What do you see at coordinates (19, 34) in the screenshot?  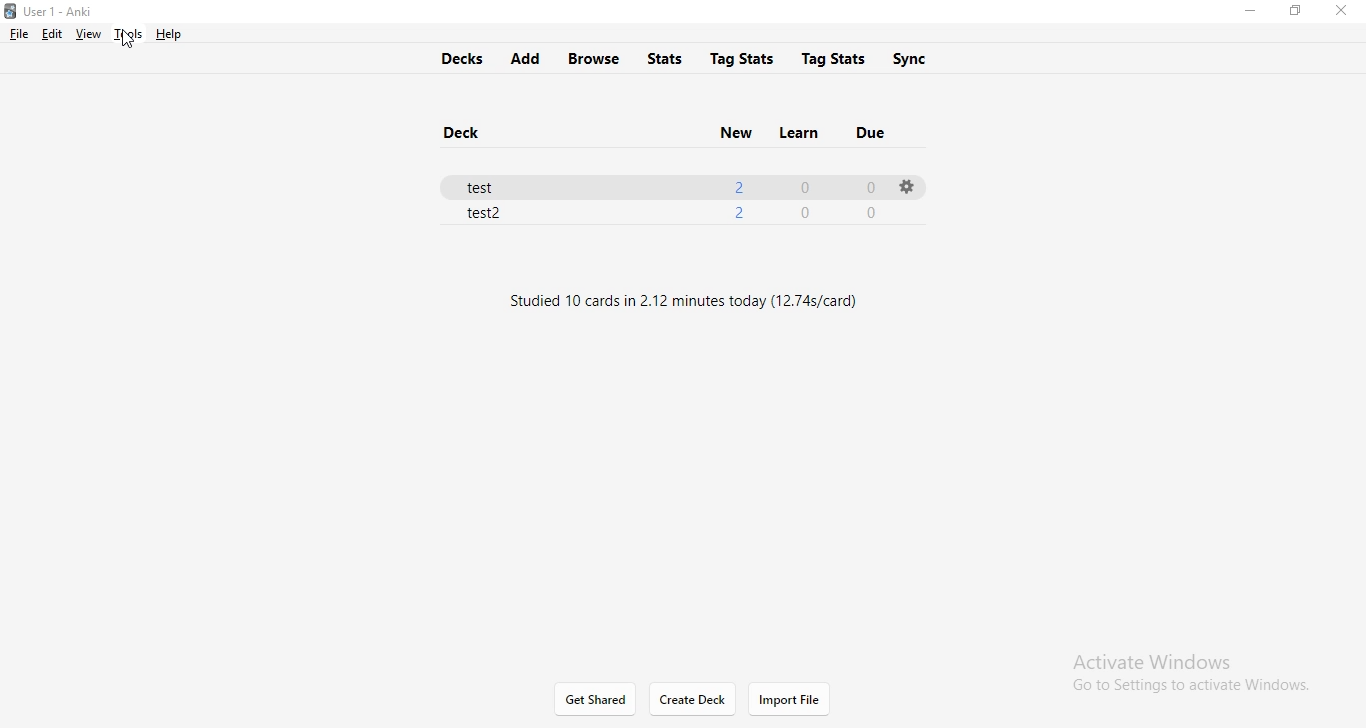 I see `file` at bounding box center [19, 34].